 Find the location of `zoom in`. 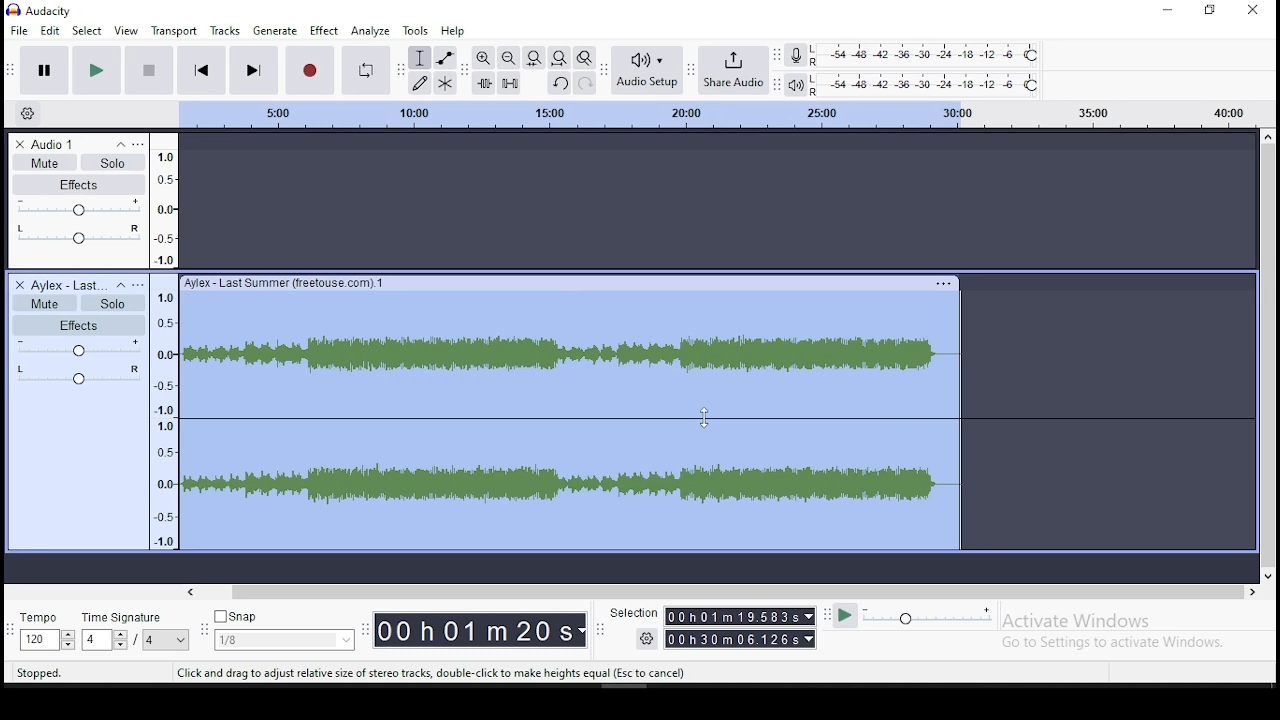

zoom in is located at coordinates (483, 57).